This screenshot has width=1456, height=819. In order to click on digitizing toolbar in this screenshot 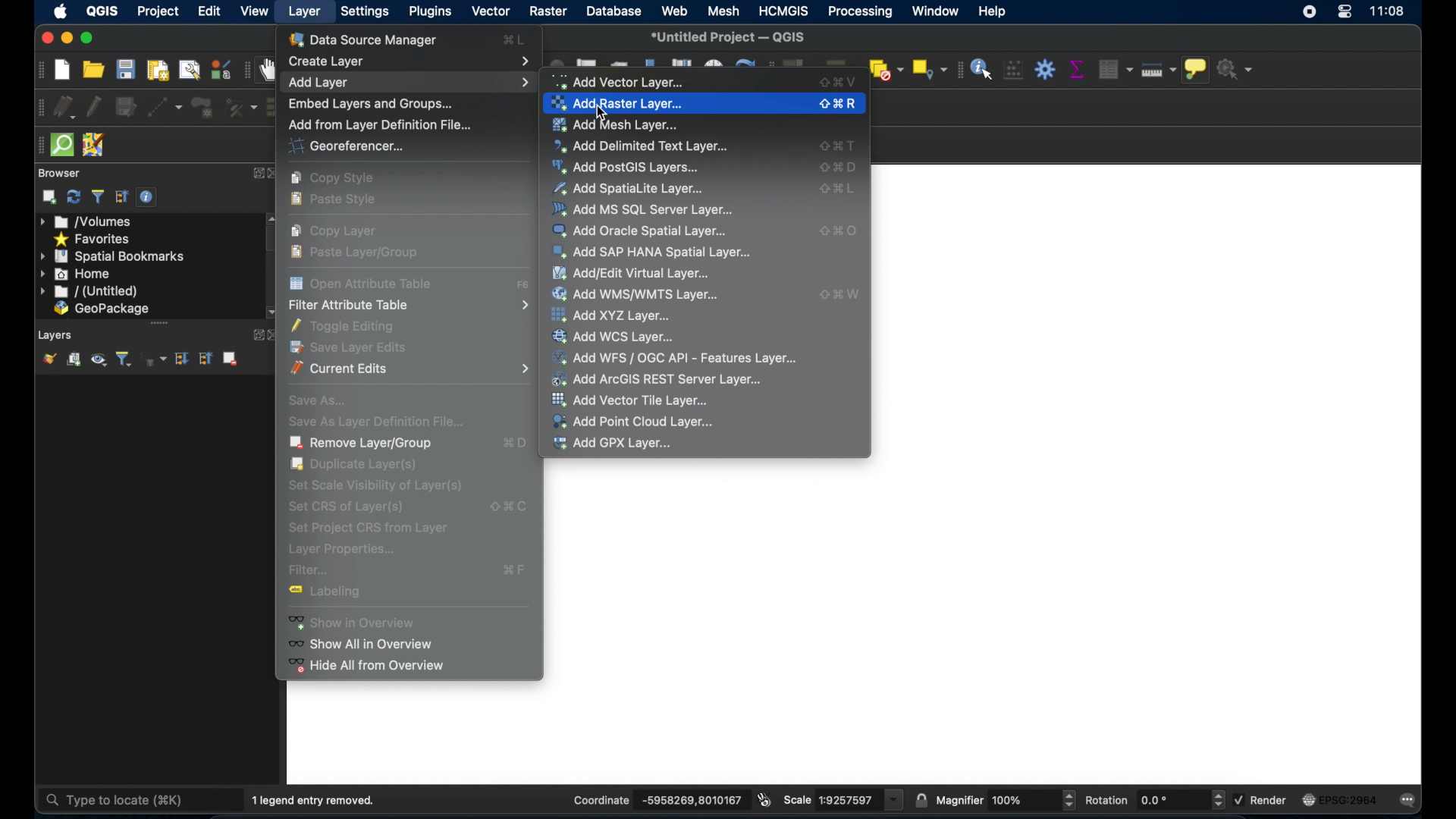, I will do `click(36, 108)`.